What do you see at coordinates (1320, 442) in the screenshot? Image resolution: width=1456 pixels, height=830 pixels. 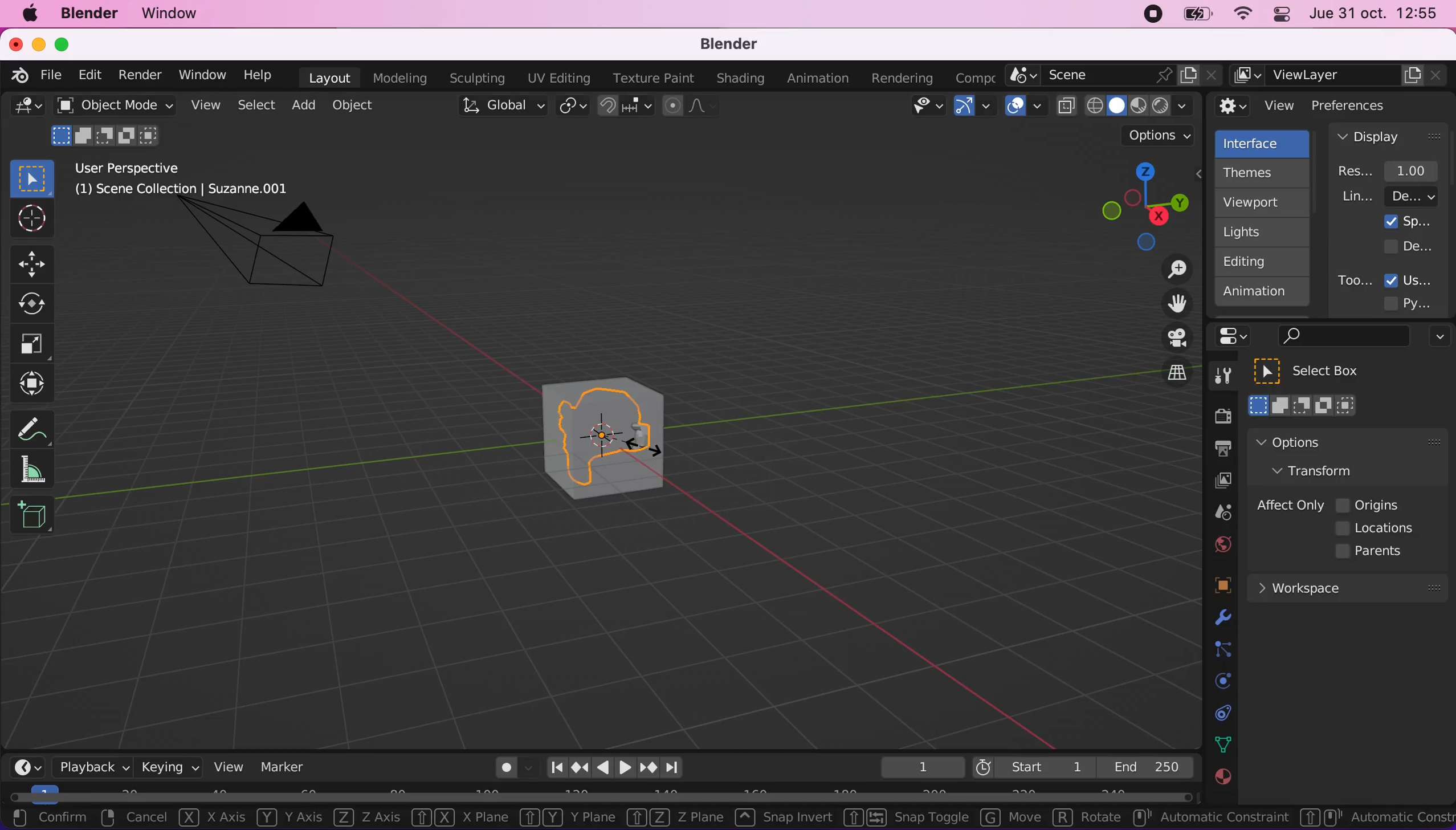 I see `options` at bounding box center [1320, 442].